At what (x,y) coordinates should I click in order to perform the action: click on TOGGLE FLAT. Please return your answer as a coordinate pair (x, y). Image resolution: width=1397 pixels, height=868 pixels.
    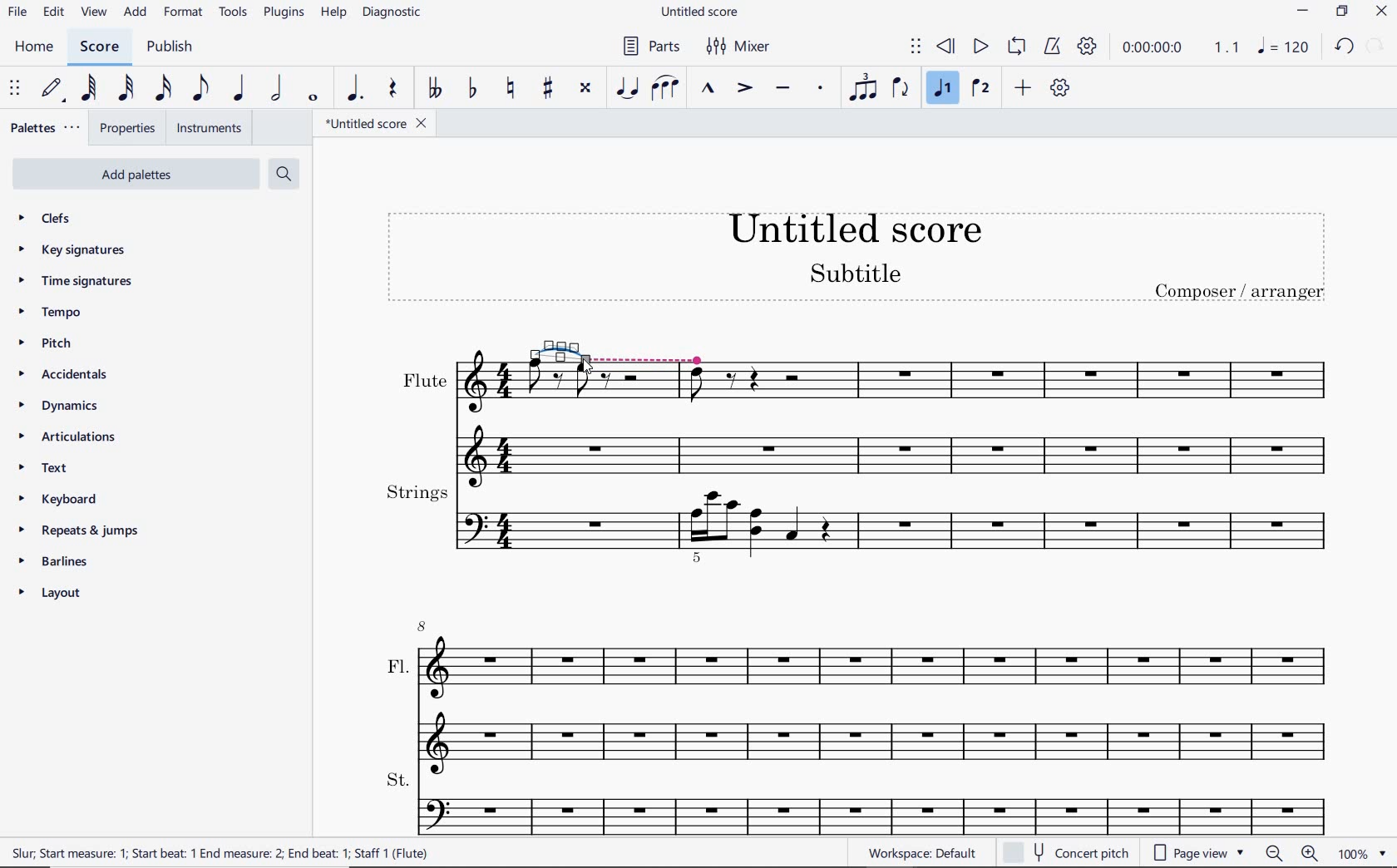
    Looking at the image, I should click on (471, 91).